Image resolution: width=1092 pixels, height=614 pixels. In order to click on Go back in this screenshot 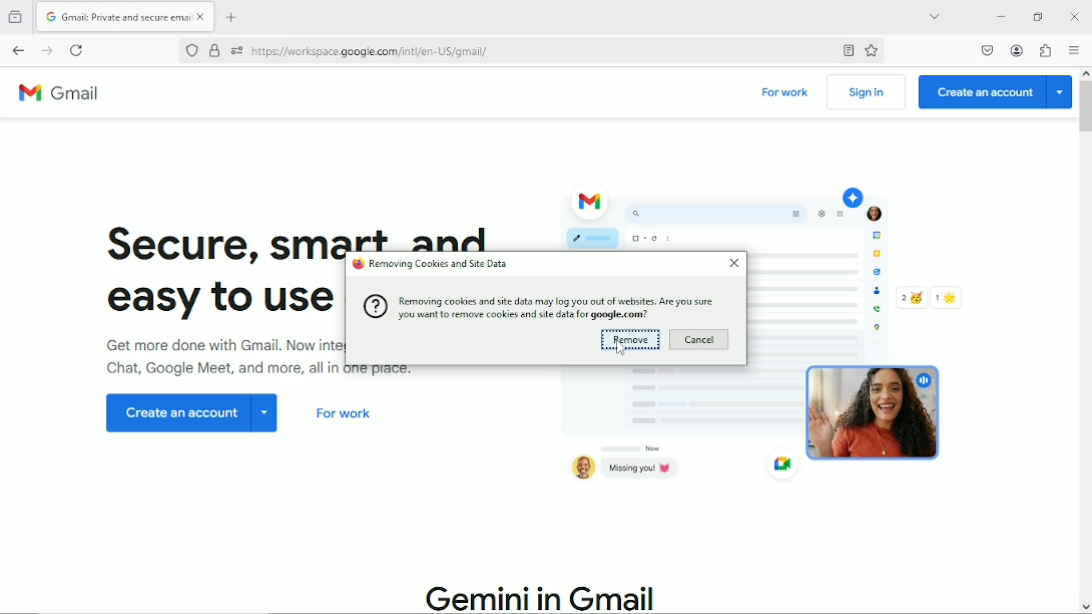, I will do `click(17, 50)`.